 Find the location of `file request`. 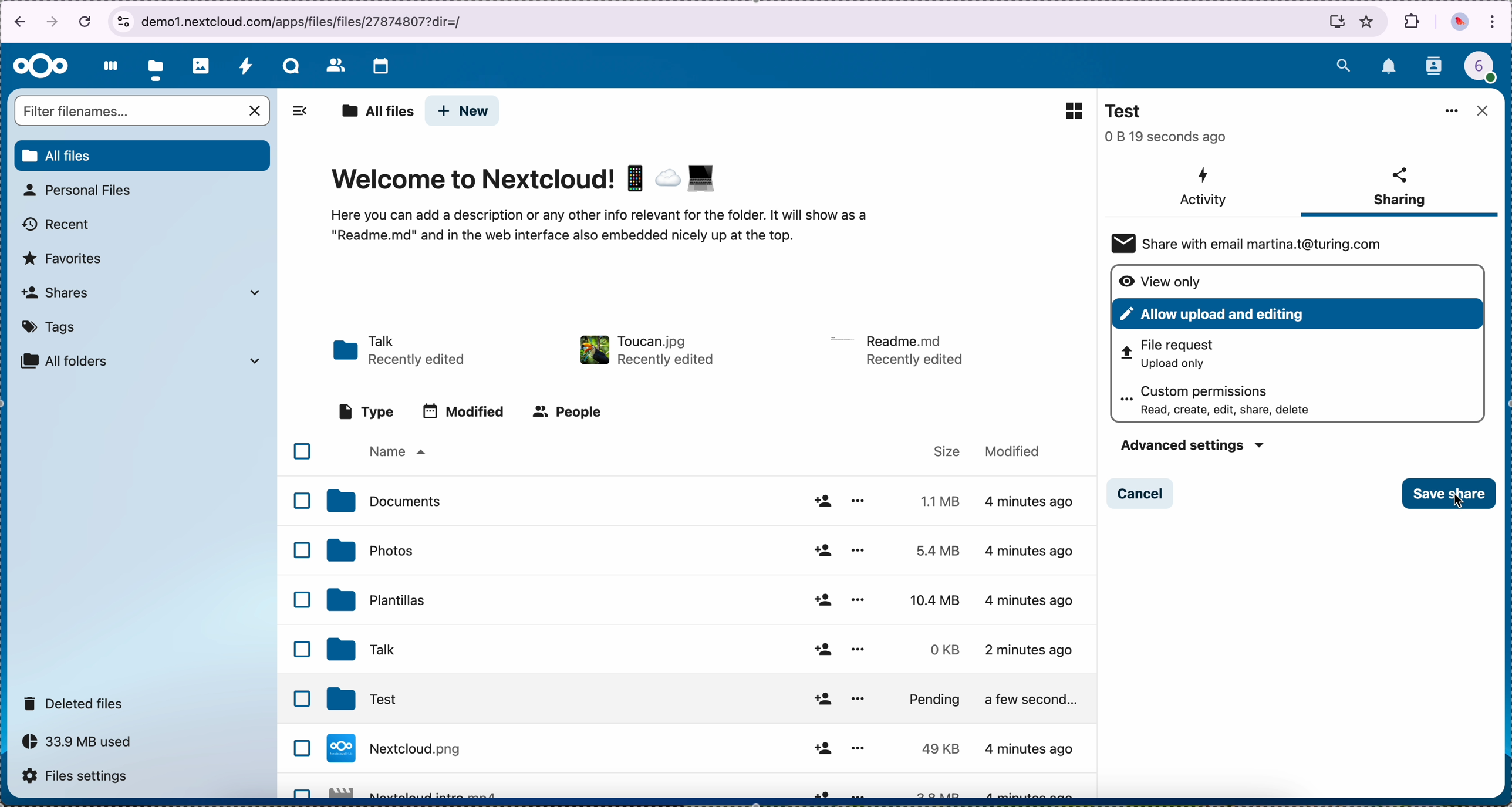

file request is located at coordinates (1180, 356).